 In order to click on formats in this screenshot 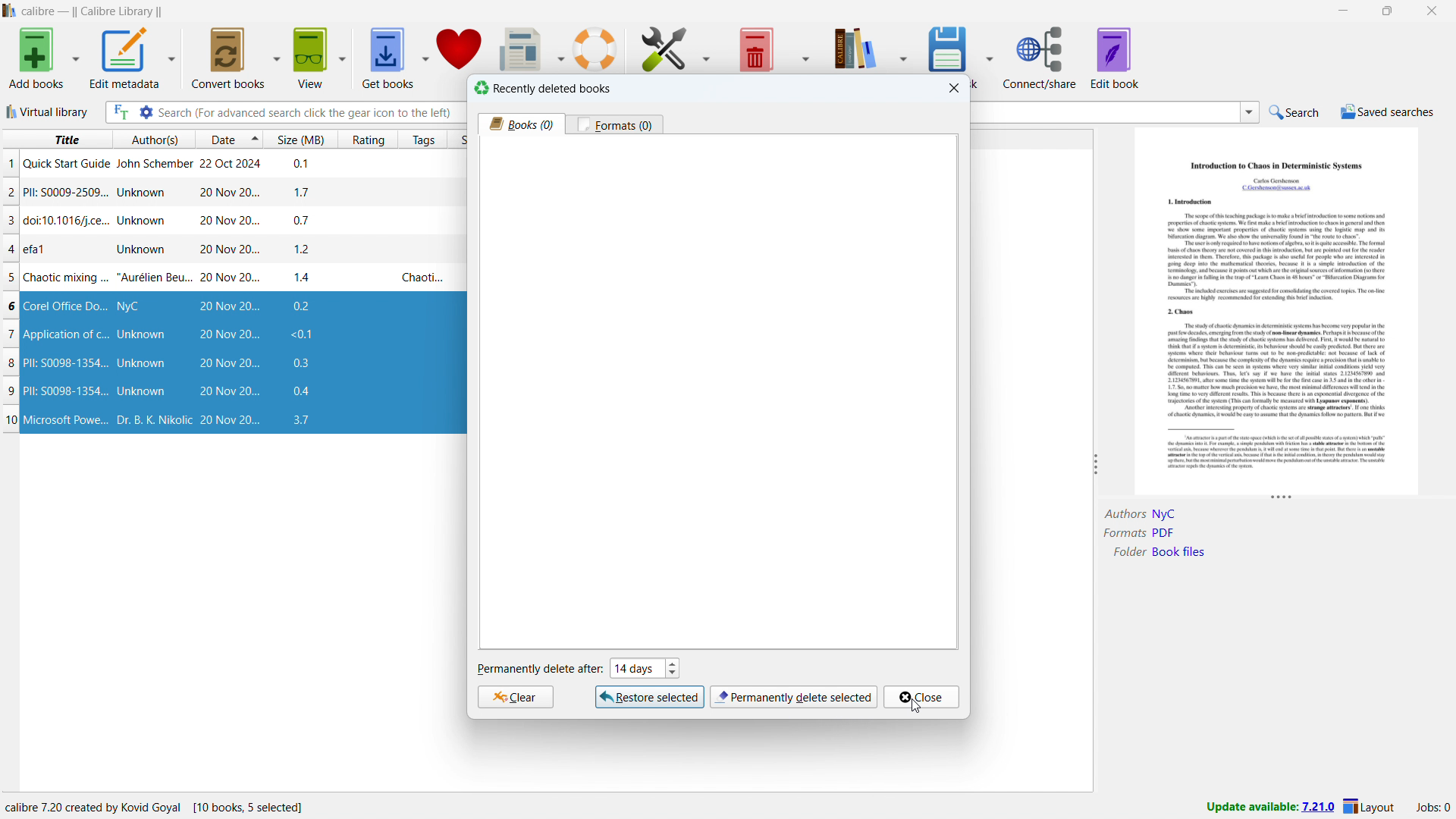, I will do `click(615, 124)`.